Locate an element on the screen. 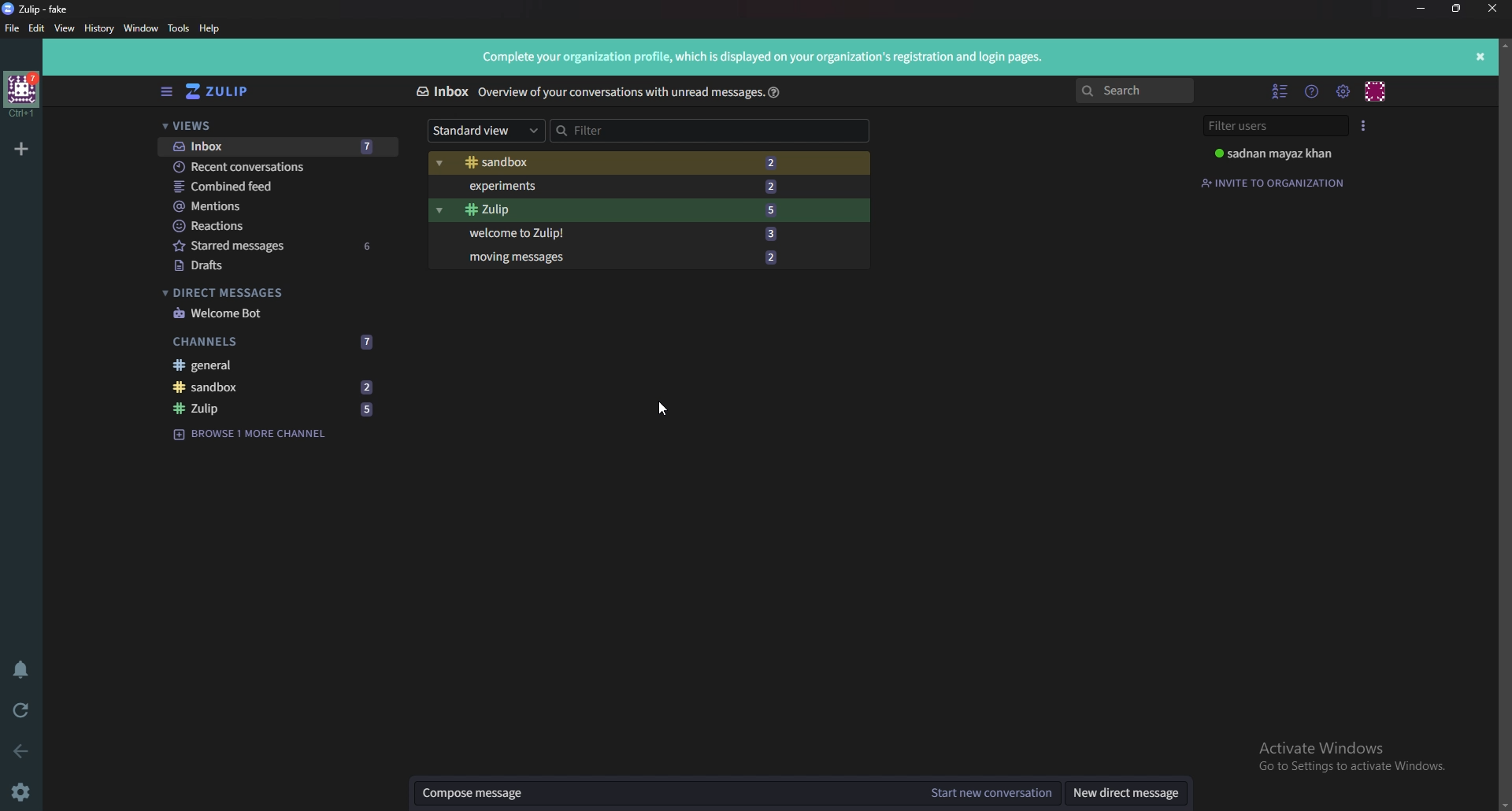  Reactions is located at coordinates (280, 227).